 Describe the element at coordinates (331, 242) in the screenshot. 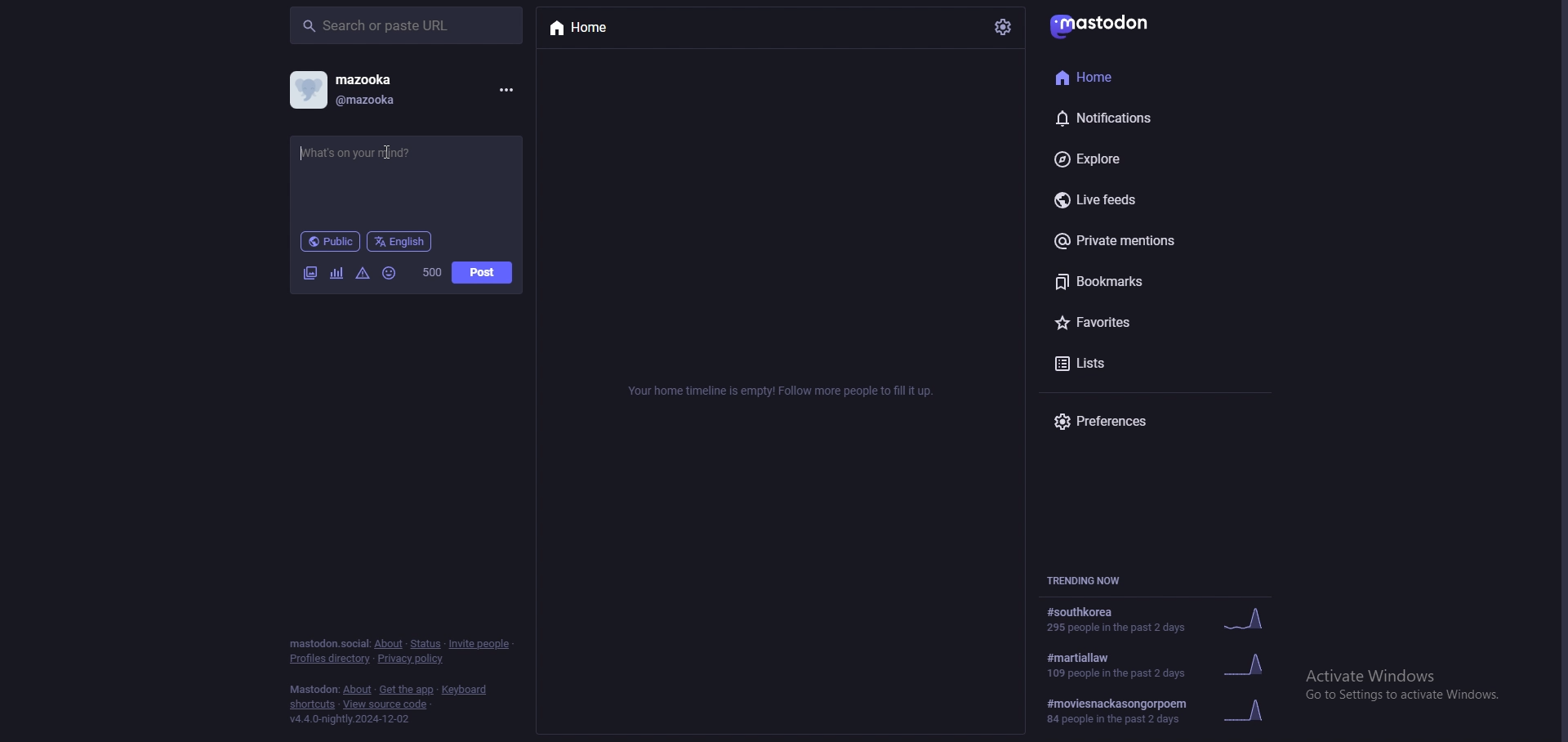

I see `audience` at that location.